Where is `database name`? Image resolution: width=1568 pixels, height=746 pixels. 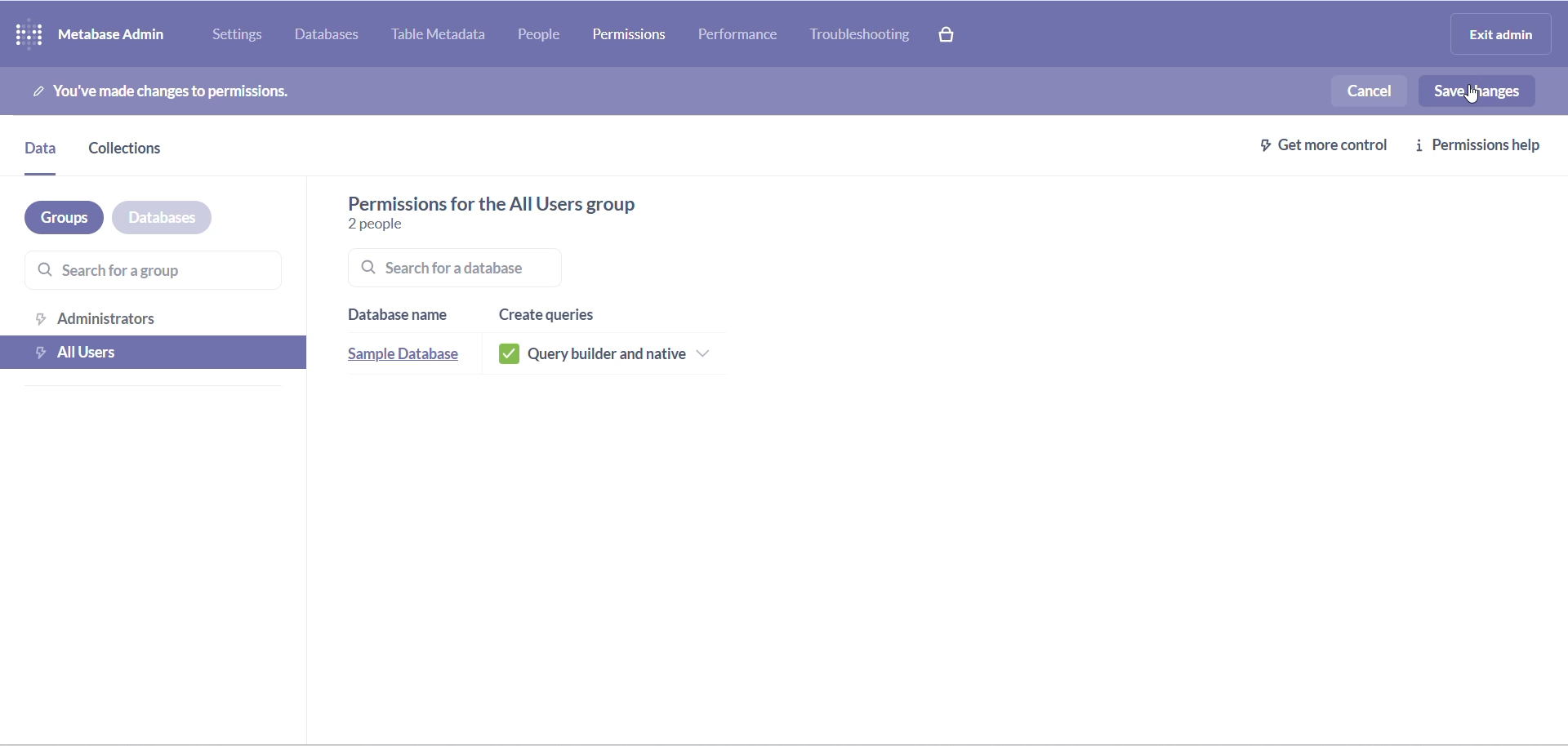
database name is located at coordinates (400, 311).